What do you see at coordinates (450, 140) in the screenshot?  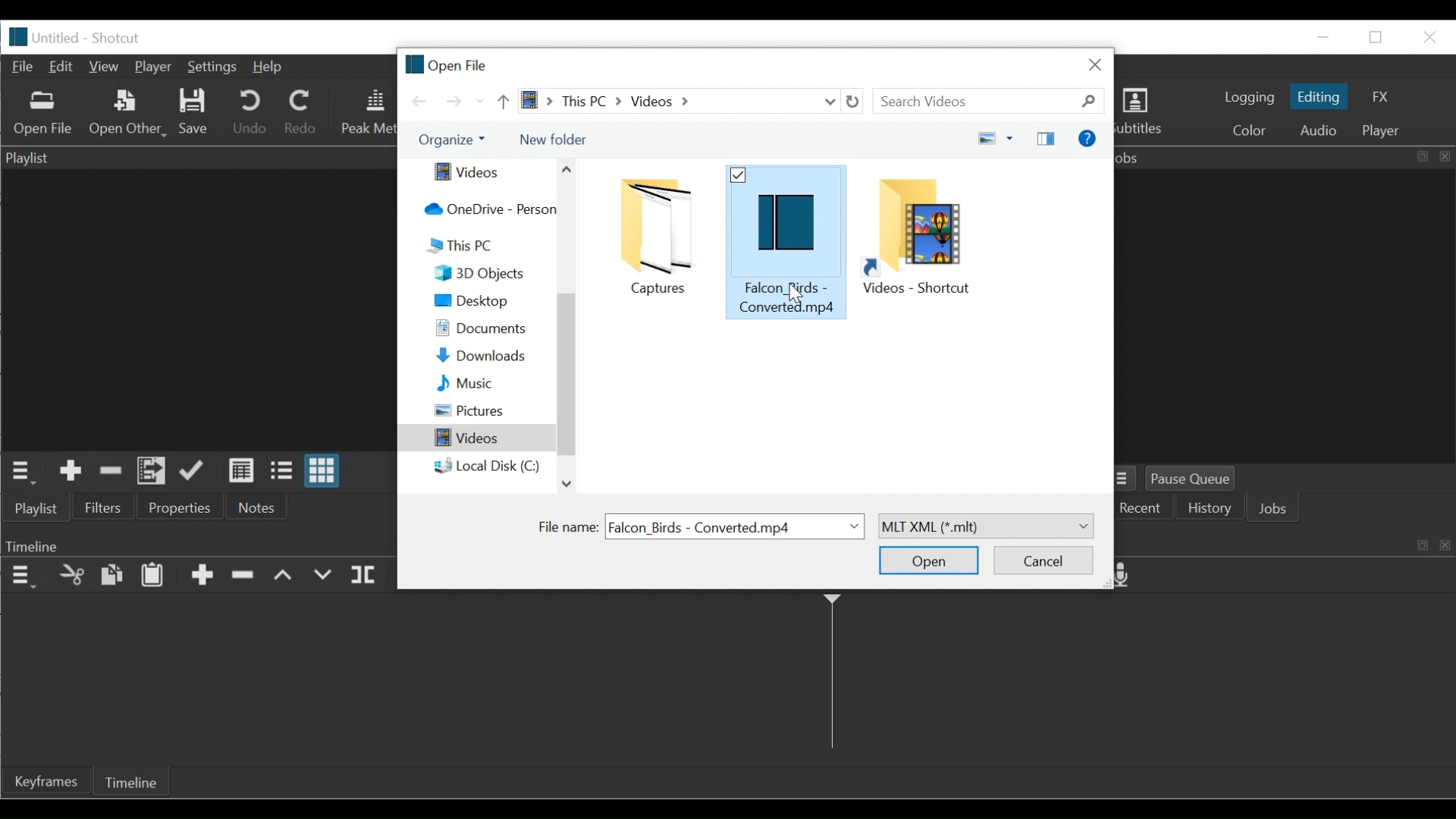 I see `Organize` at bounding box center [450, 140].